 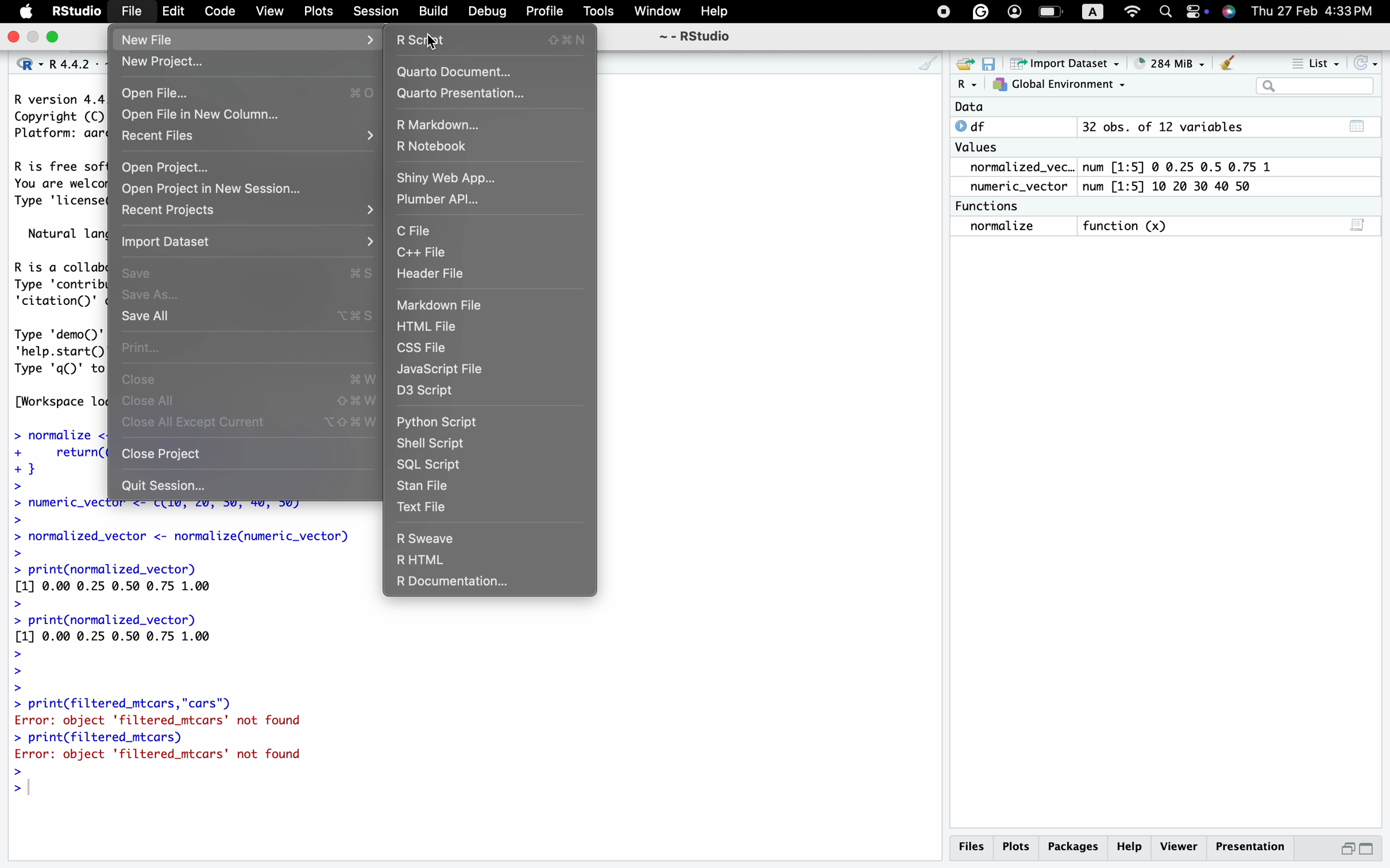 I want to click on minimise, so click(x=33, y=36).